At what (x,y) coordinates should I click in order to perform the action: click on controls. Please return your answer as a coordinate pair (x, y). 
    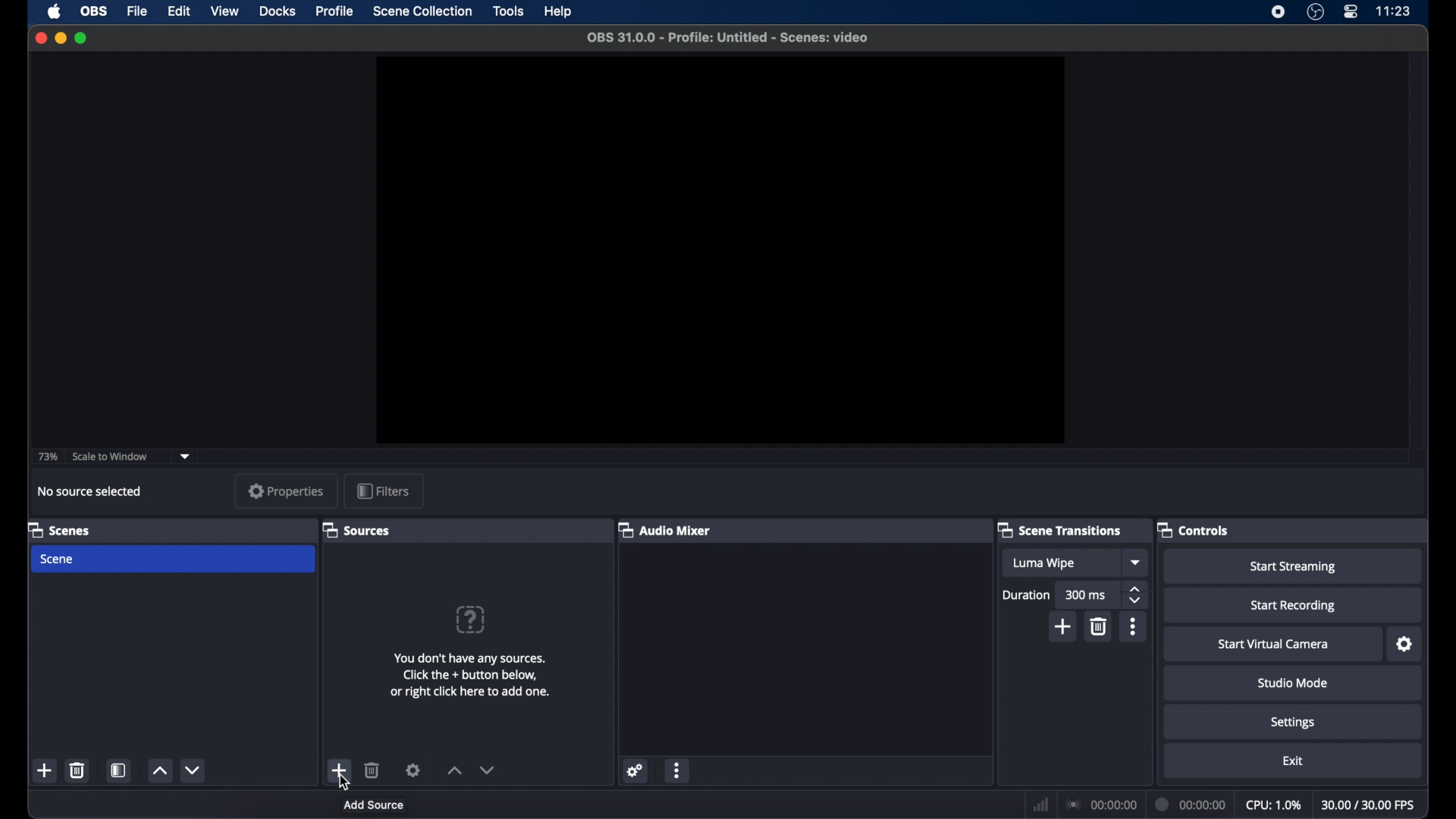
    Looking at the image, I should click on (1193, 529).